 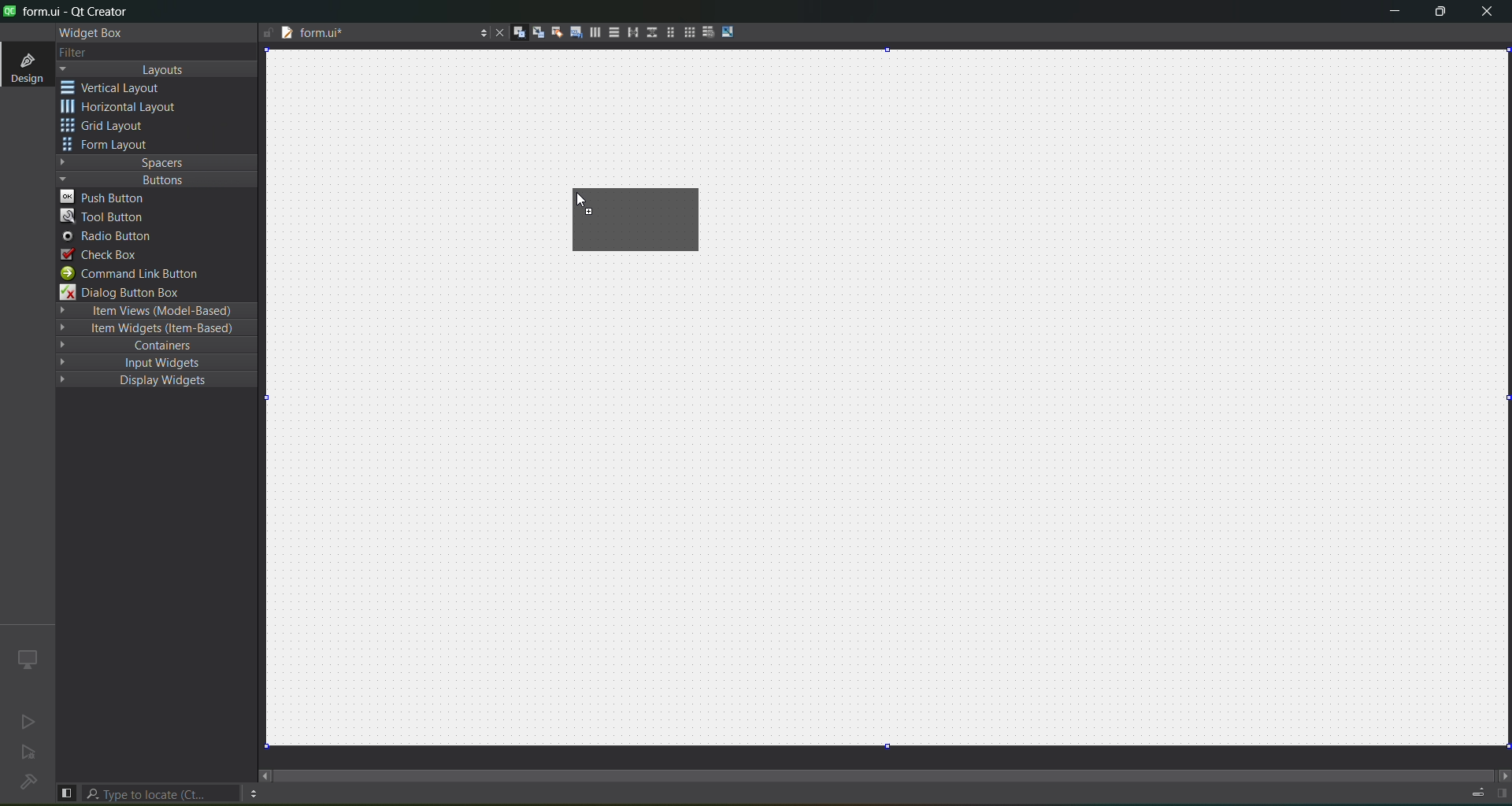 What do you see at coordinates (72, 52) in the screenshot?
I see `filter` at bounding box center [72, 52].